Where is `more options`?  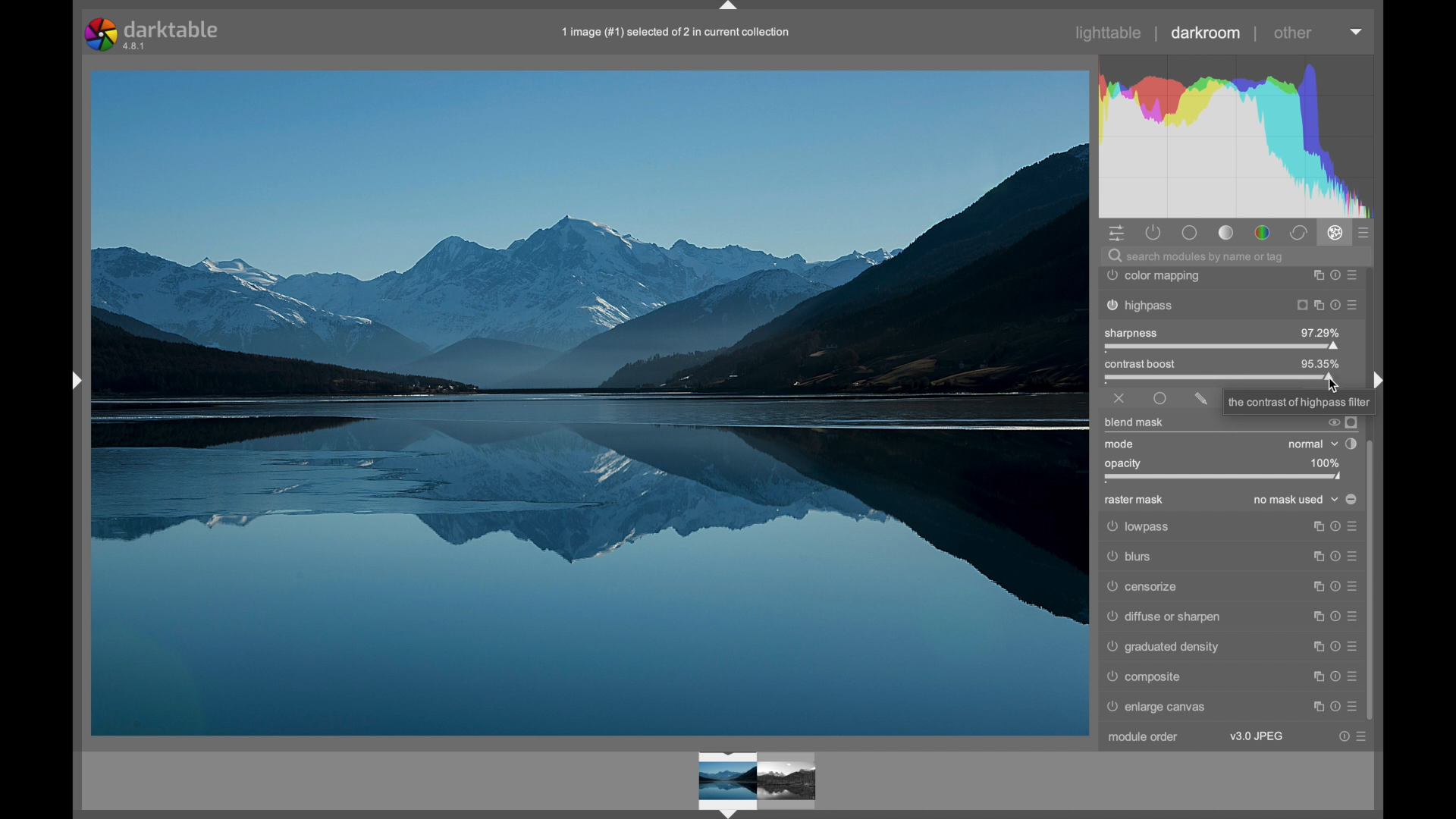 more options is located at coordinates (1335, 707).